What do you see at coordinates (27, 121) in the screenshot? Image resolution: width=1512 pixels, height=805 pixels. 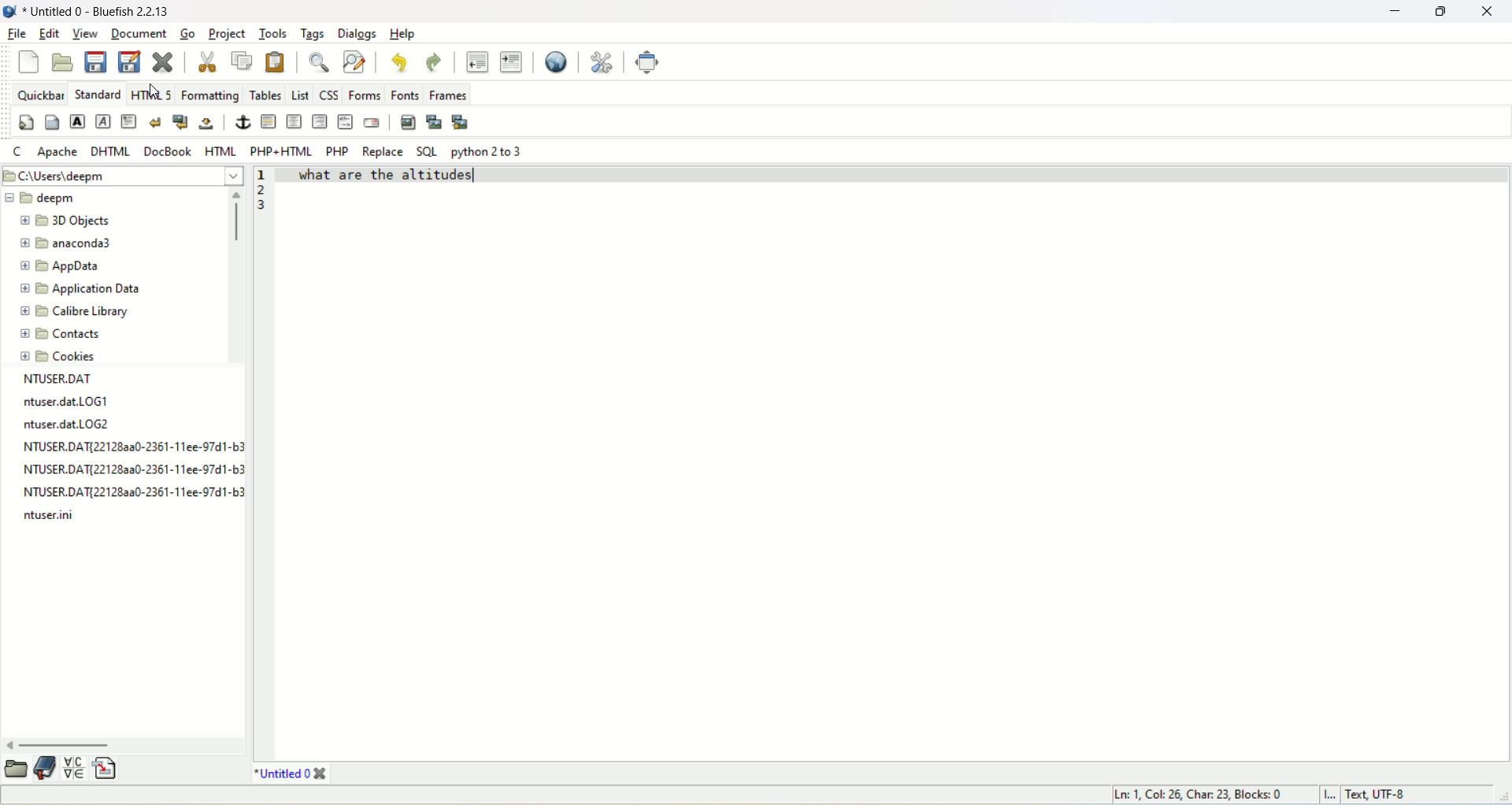 I see `quickstart` at bounding box center [27, 121].